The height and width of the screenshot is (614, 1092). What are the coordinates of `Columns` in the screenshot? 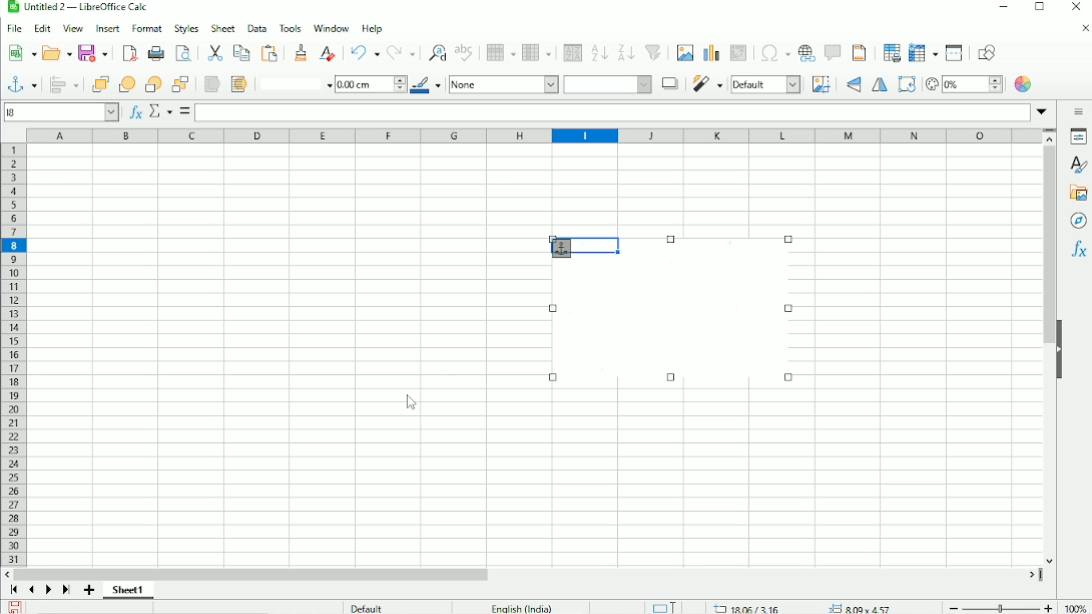 It's located at (539, 53).